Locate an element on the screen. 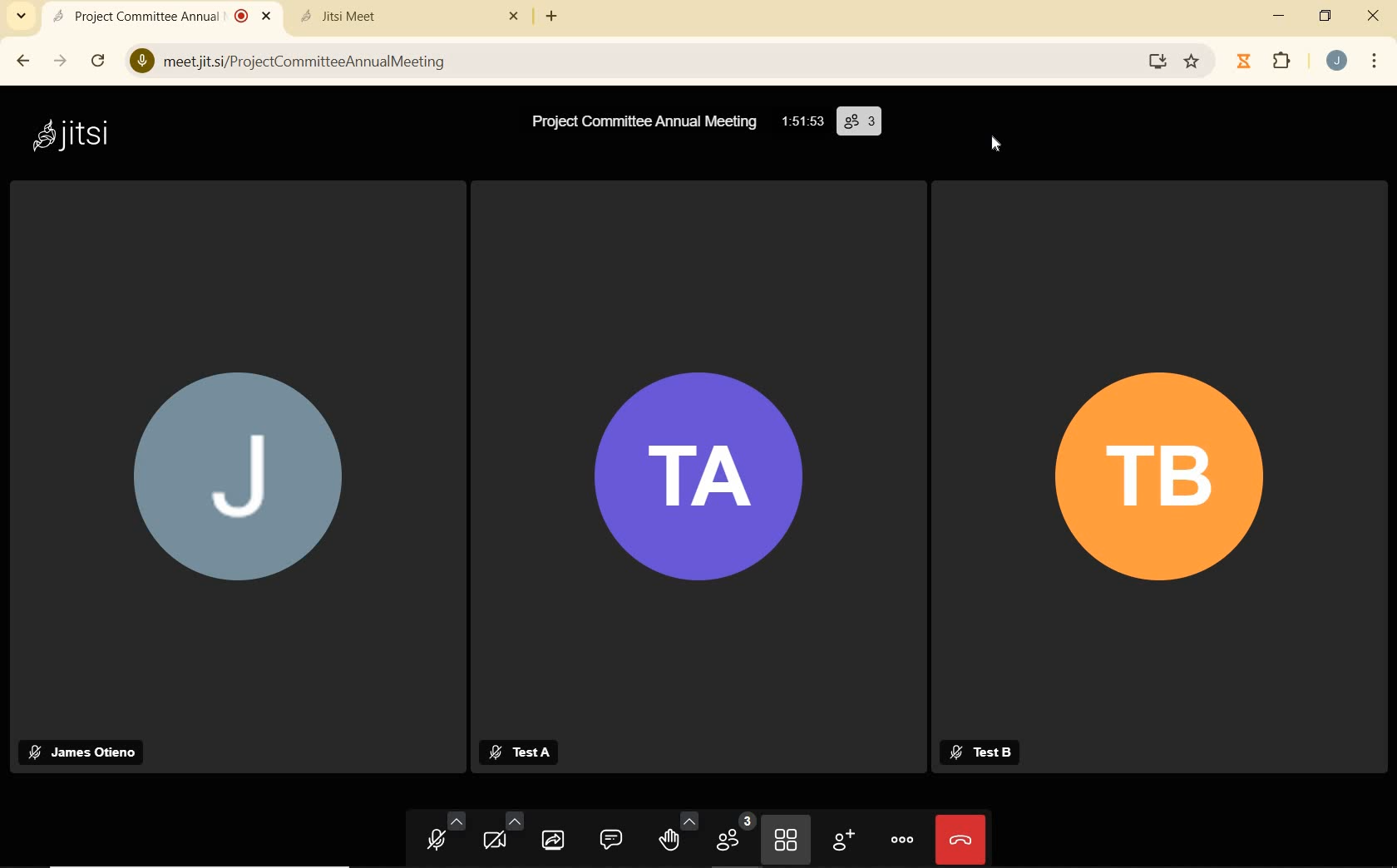 Image resolution: width=1397 pixels, height=868 pixels. extensions is located at coordinates (1283, 61).